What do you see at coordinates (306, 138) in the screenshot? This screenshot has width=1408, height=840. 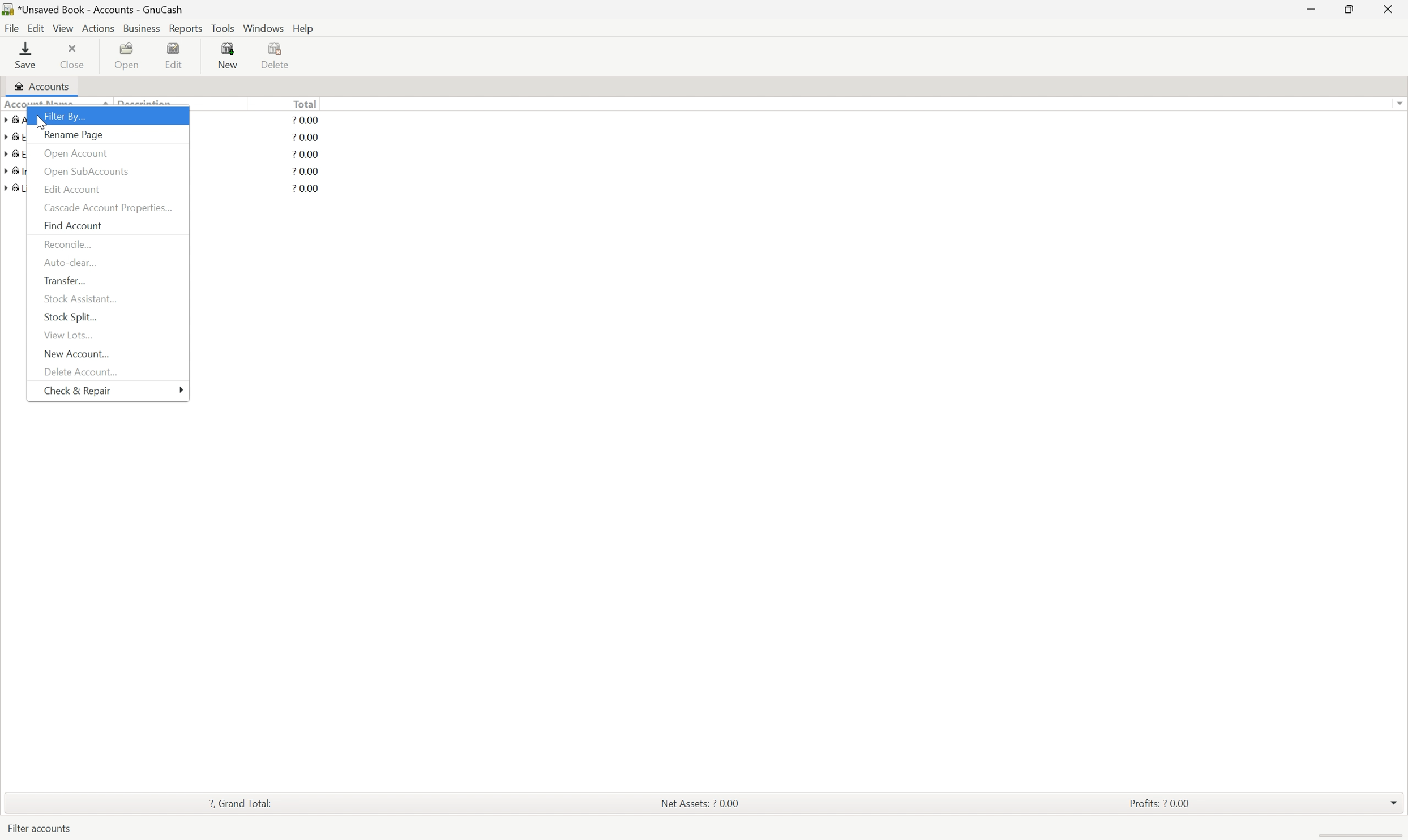 I see `? 0.00` at bounding box center [306, 138].